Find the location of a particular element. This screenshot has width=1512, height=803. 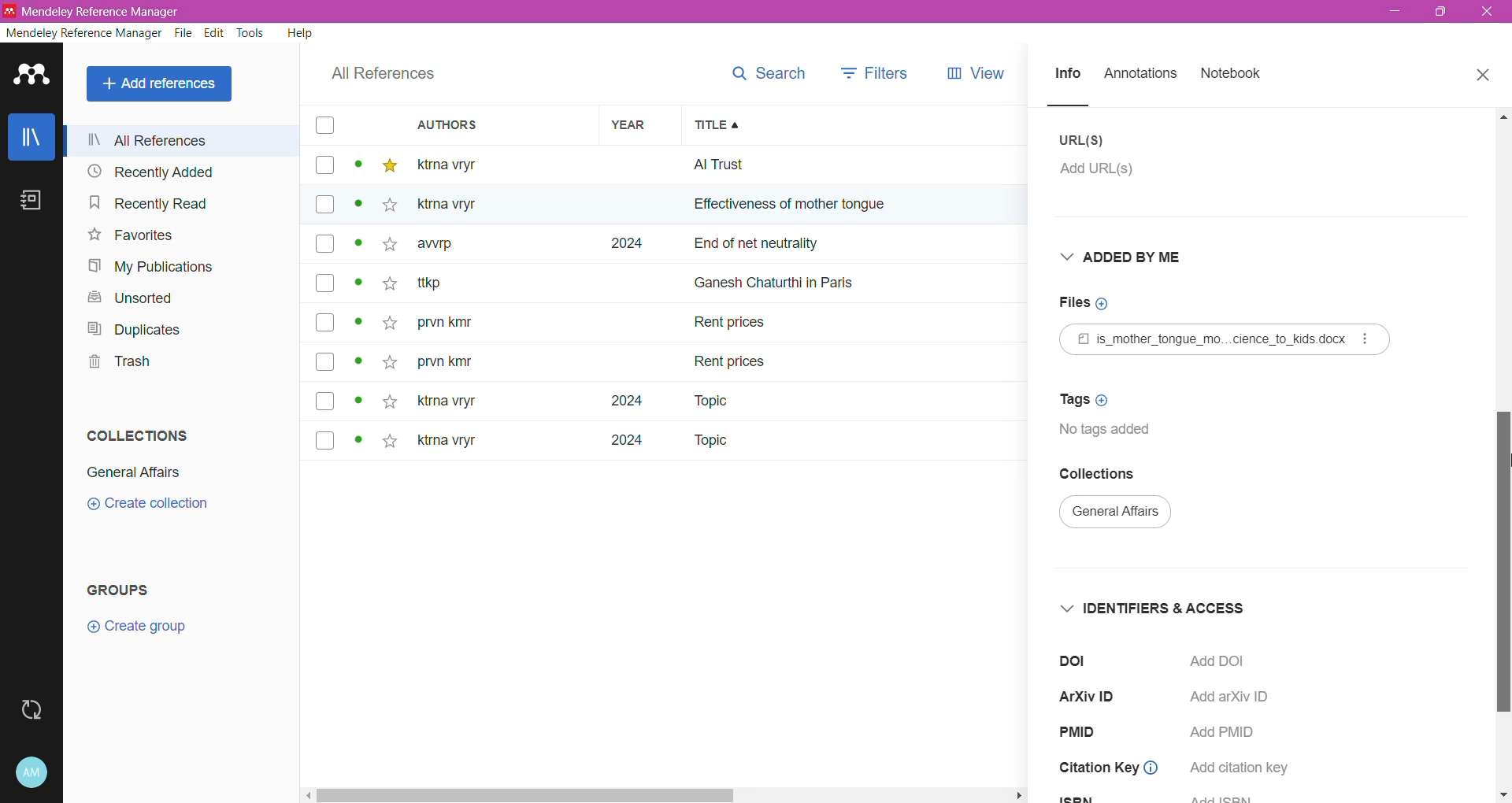

File is located at coordinates (185, 33).